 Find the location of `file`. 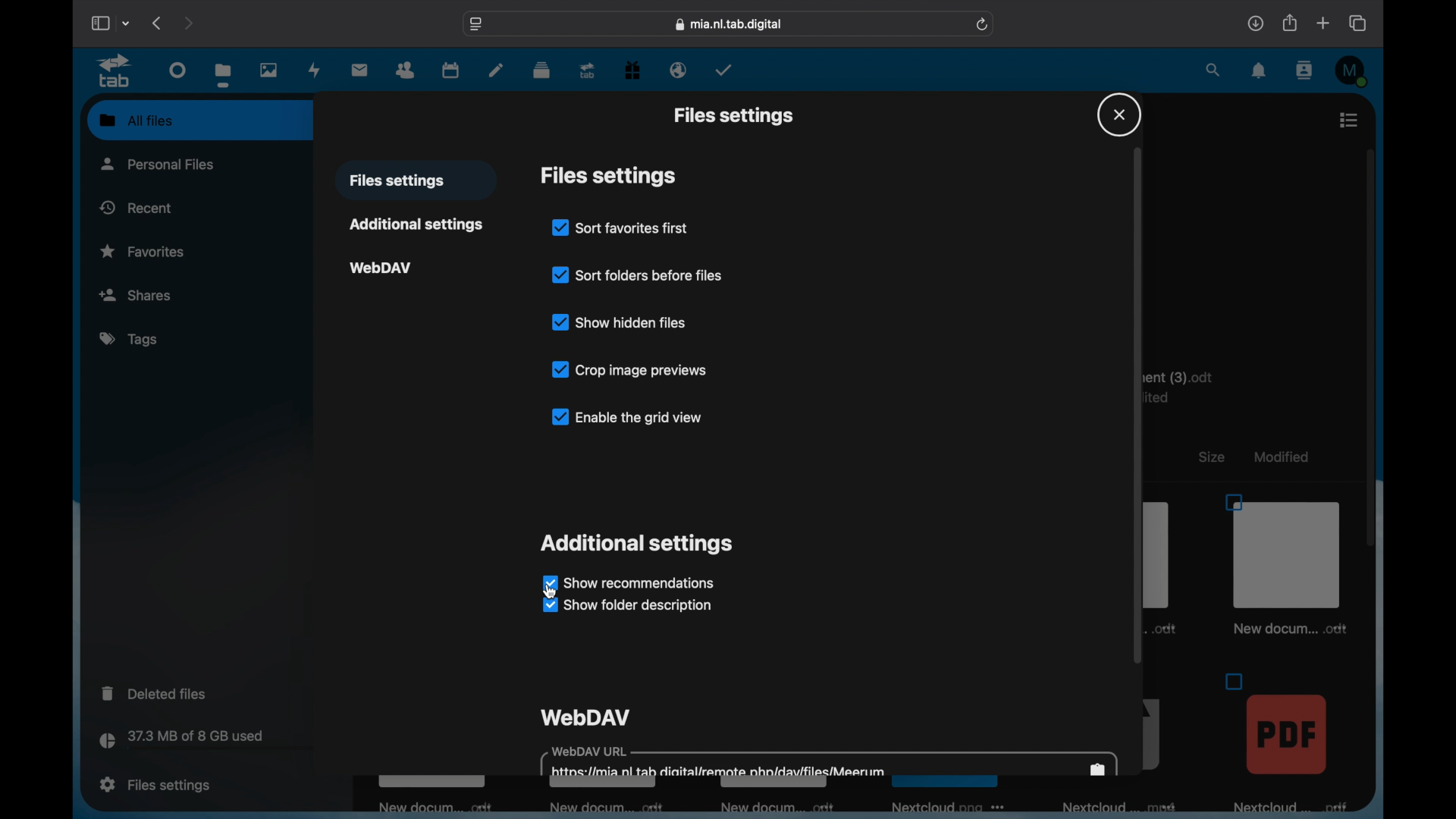

file is located at coordinates (1286, 563).